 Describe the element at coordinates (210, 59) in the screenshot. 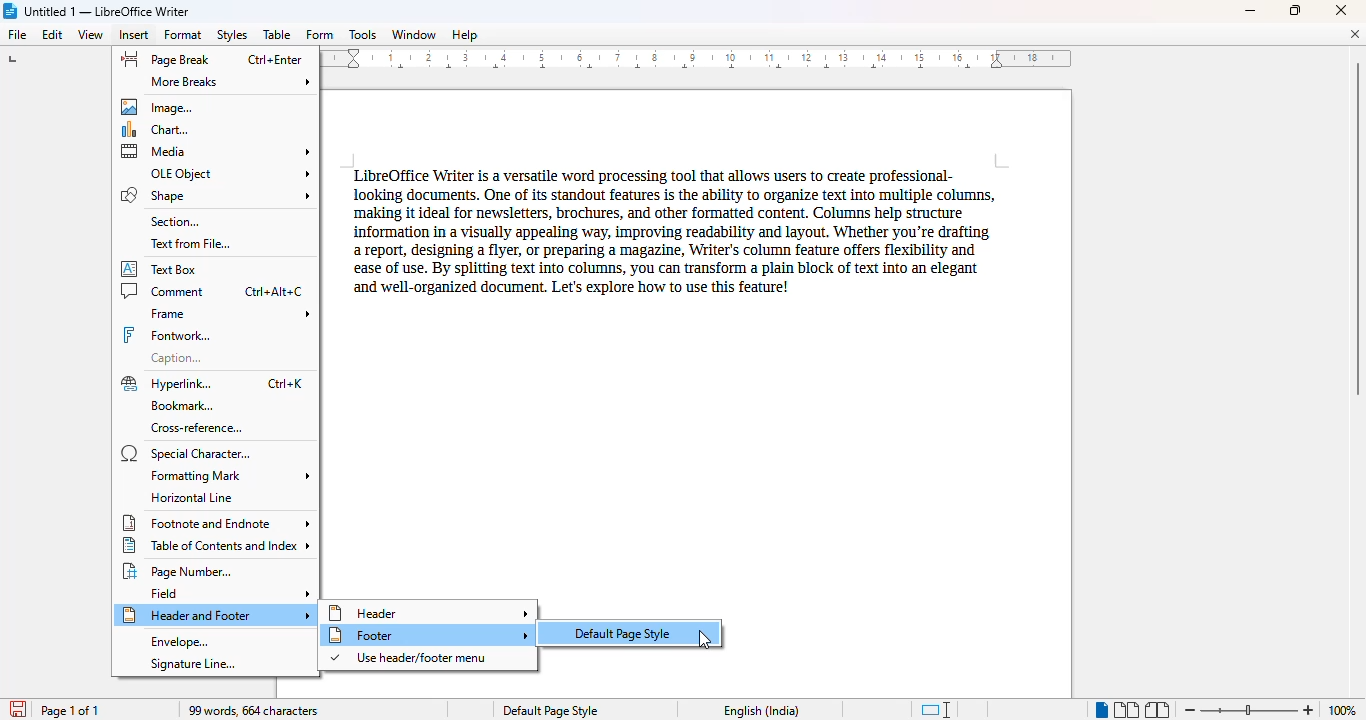

I see `page break` at that location.